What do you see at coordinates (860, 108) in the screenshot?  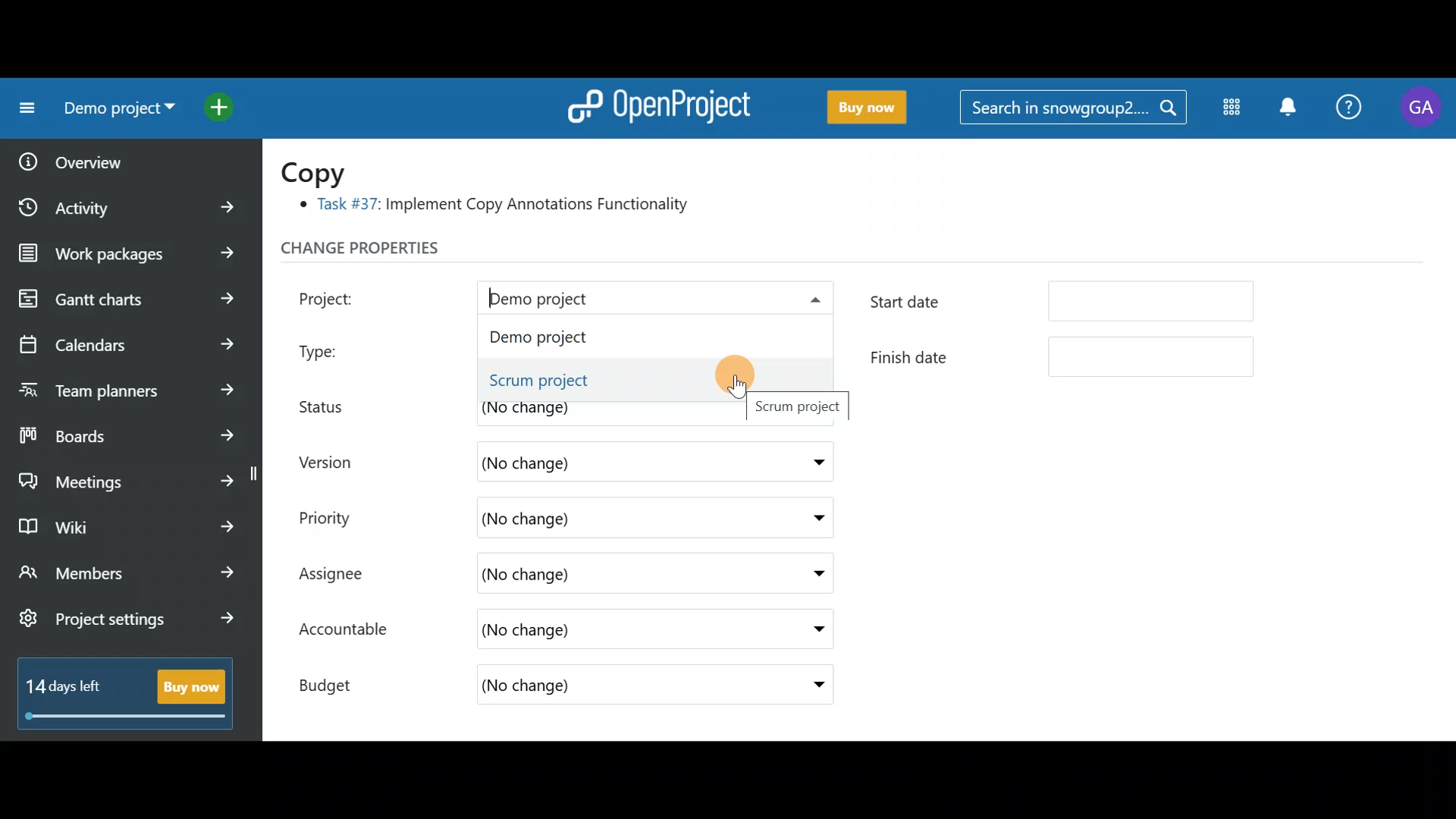 I see `Buy now` at bounding box center [860, 108].